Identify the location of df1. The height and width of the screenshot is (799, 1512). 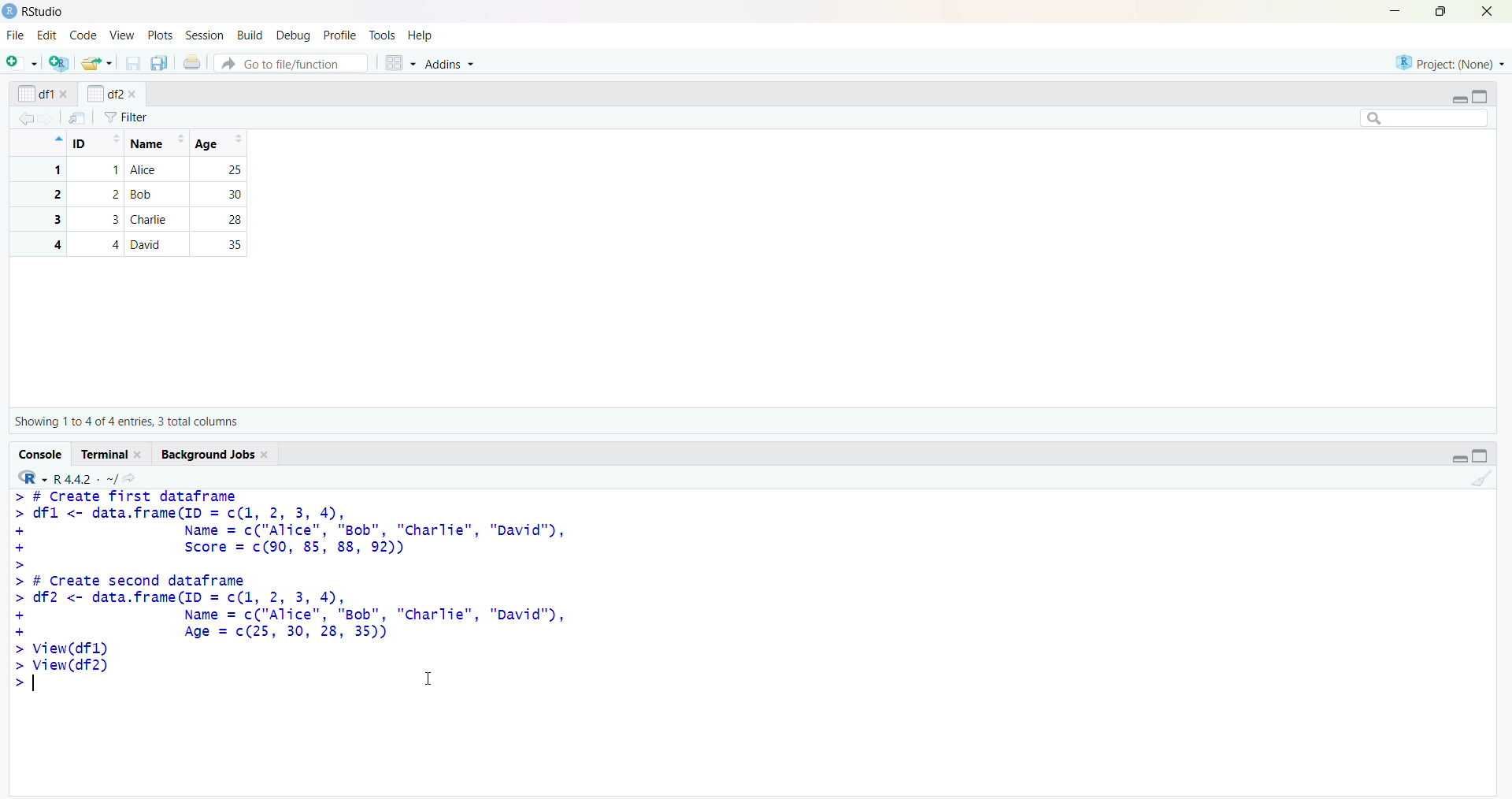
(35, 94).